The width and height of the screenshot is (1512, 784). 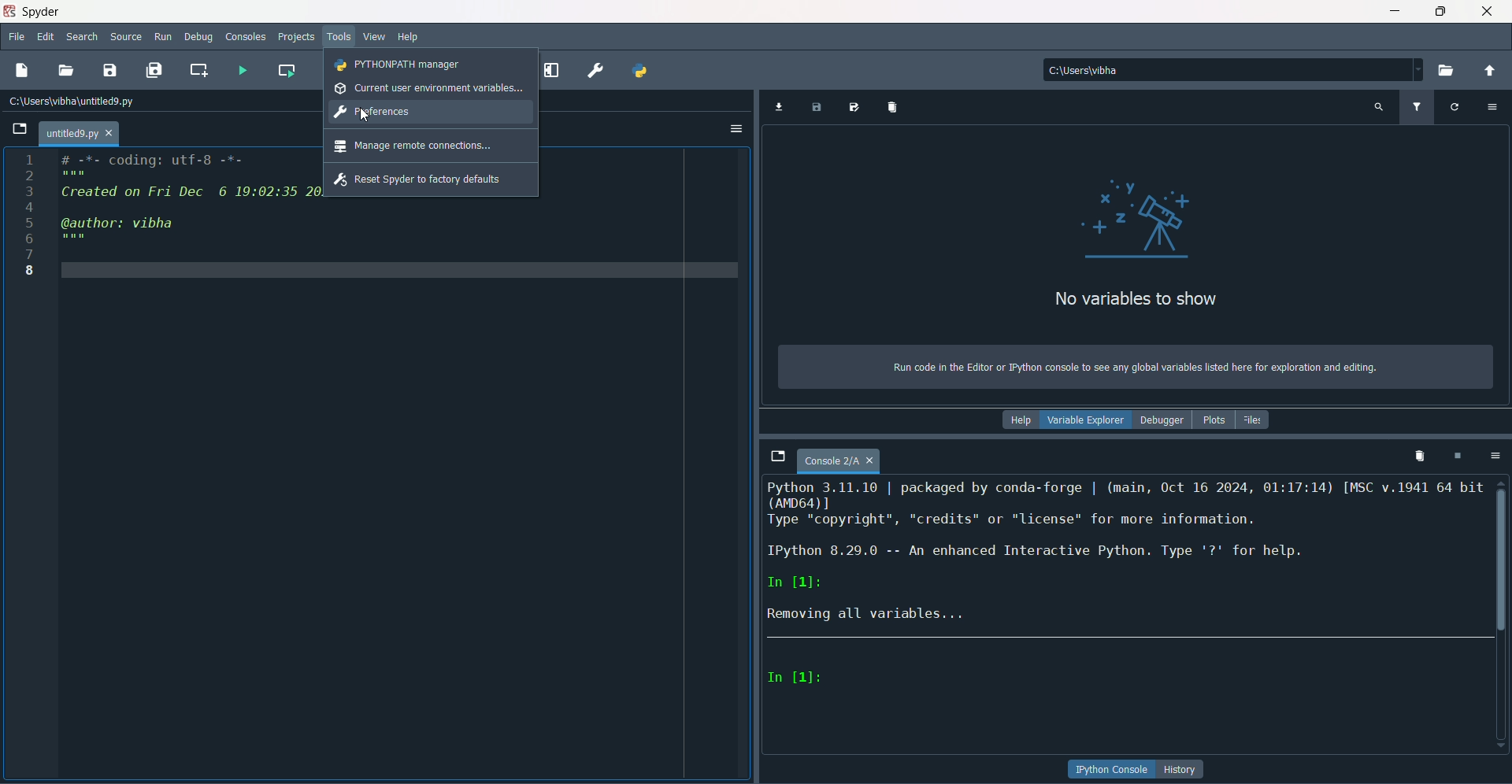 I want to click on help, so click(x=1019, y=420).